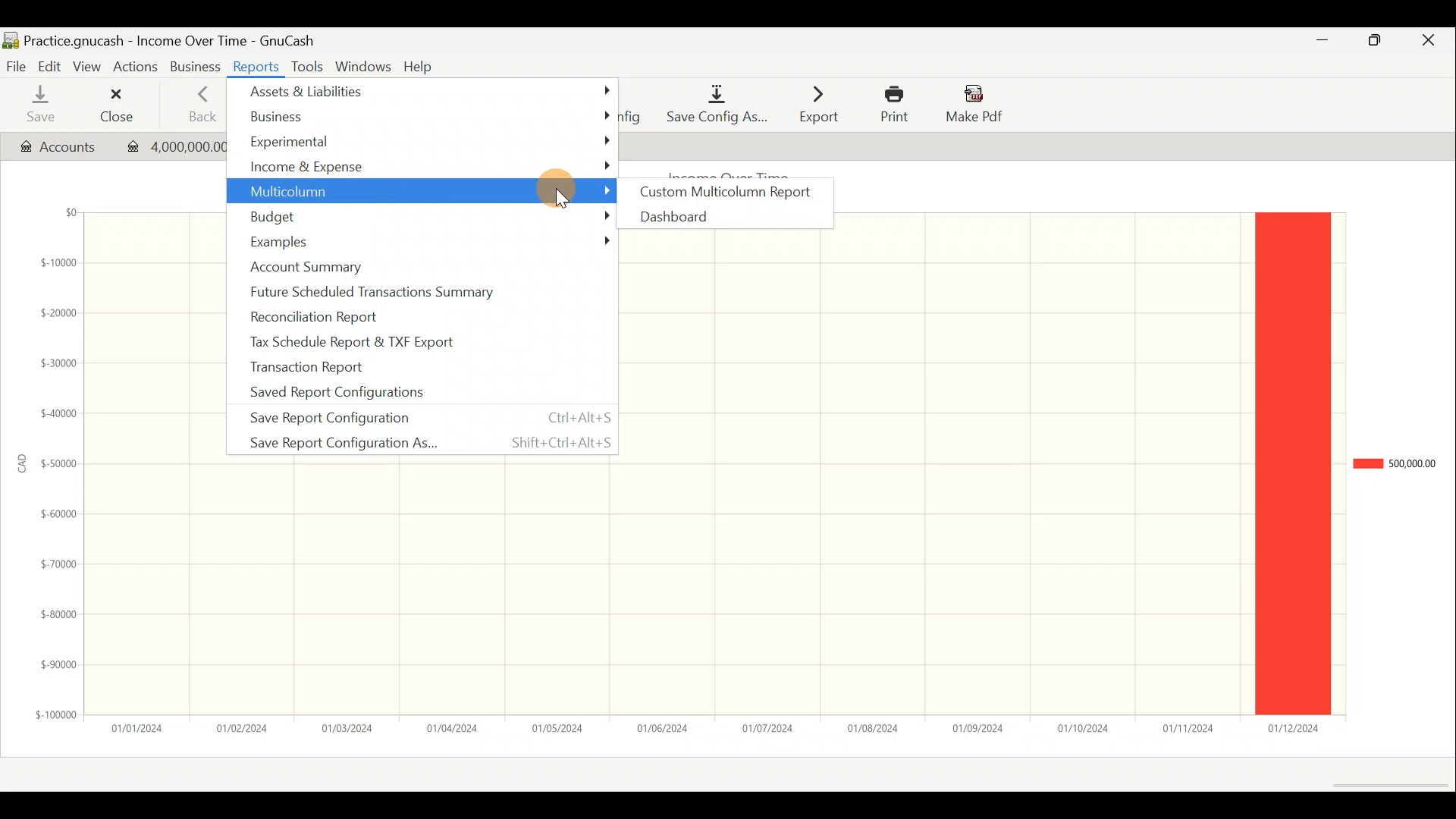 Image resolution: width=1456 pixels, height=819 pixels. What do you see at coordinates (421, 394) in the screenshot?
I see `Saved report configurations` at bounding box center [421, 394].